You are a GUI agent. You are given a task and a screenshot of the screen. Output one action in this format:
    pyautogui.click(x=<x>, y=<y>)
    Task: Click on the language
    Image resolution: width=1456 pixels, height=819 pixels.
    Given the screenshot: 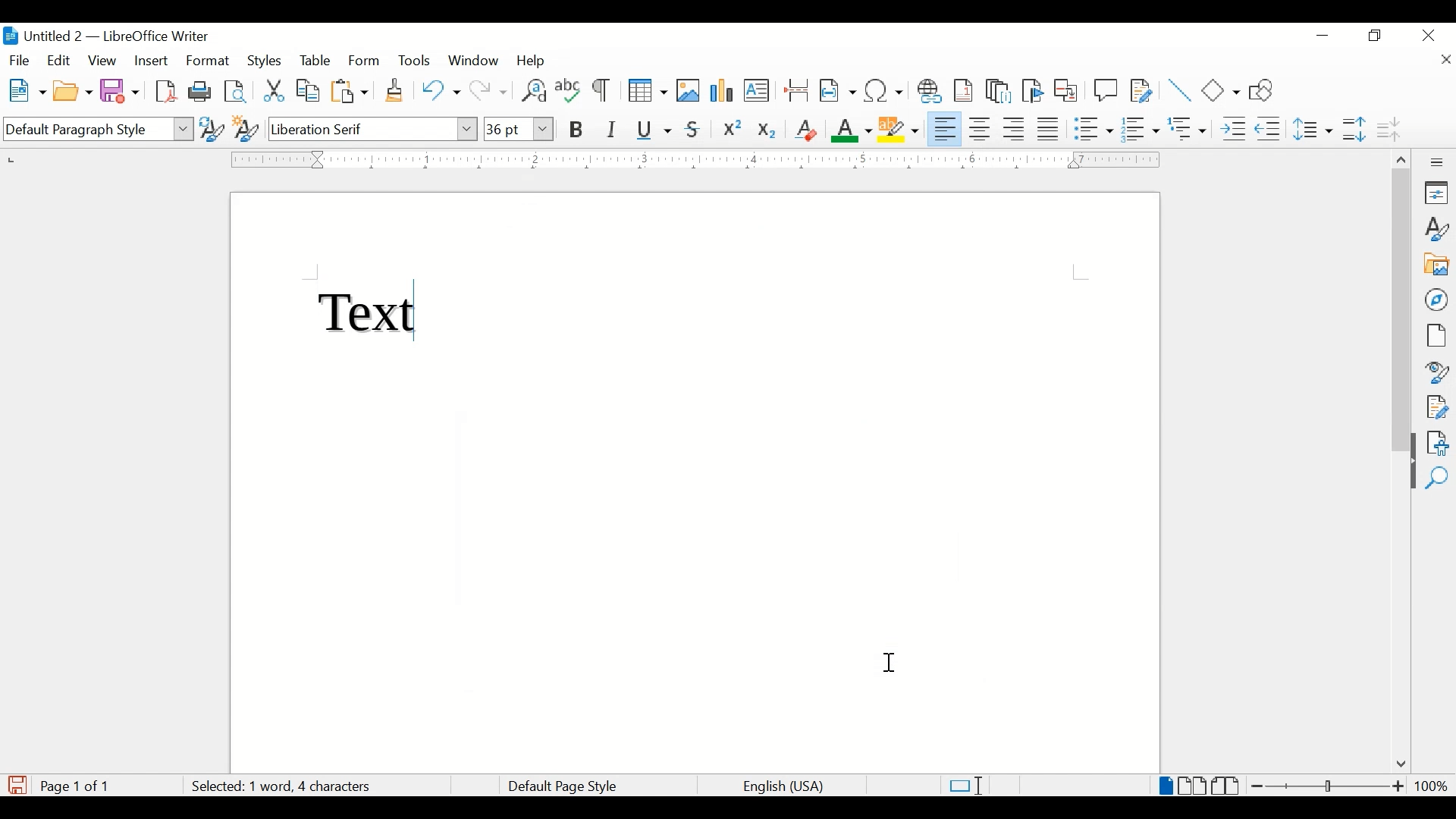 What is the action you would take?
    pyautogui.click(x=785, y=787)
    